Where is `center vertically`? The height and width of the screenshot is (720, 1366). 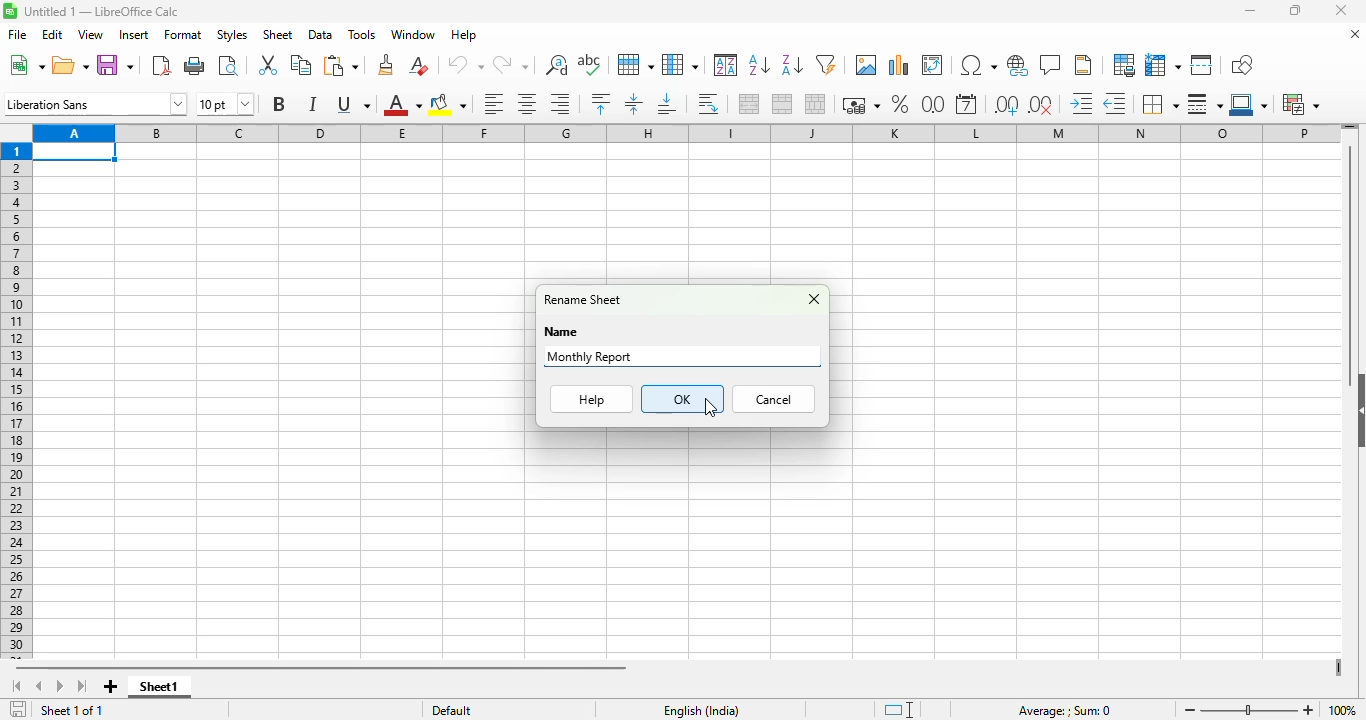
center vertically is located at coordinates (633, 104).